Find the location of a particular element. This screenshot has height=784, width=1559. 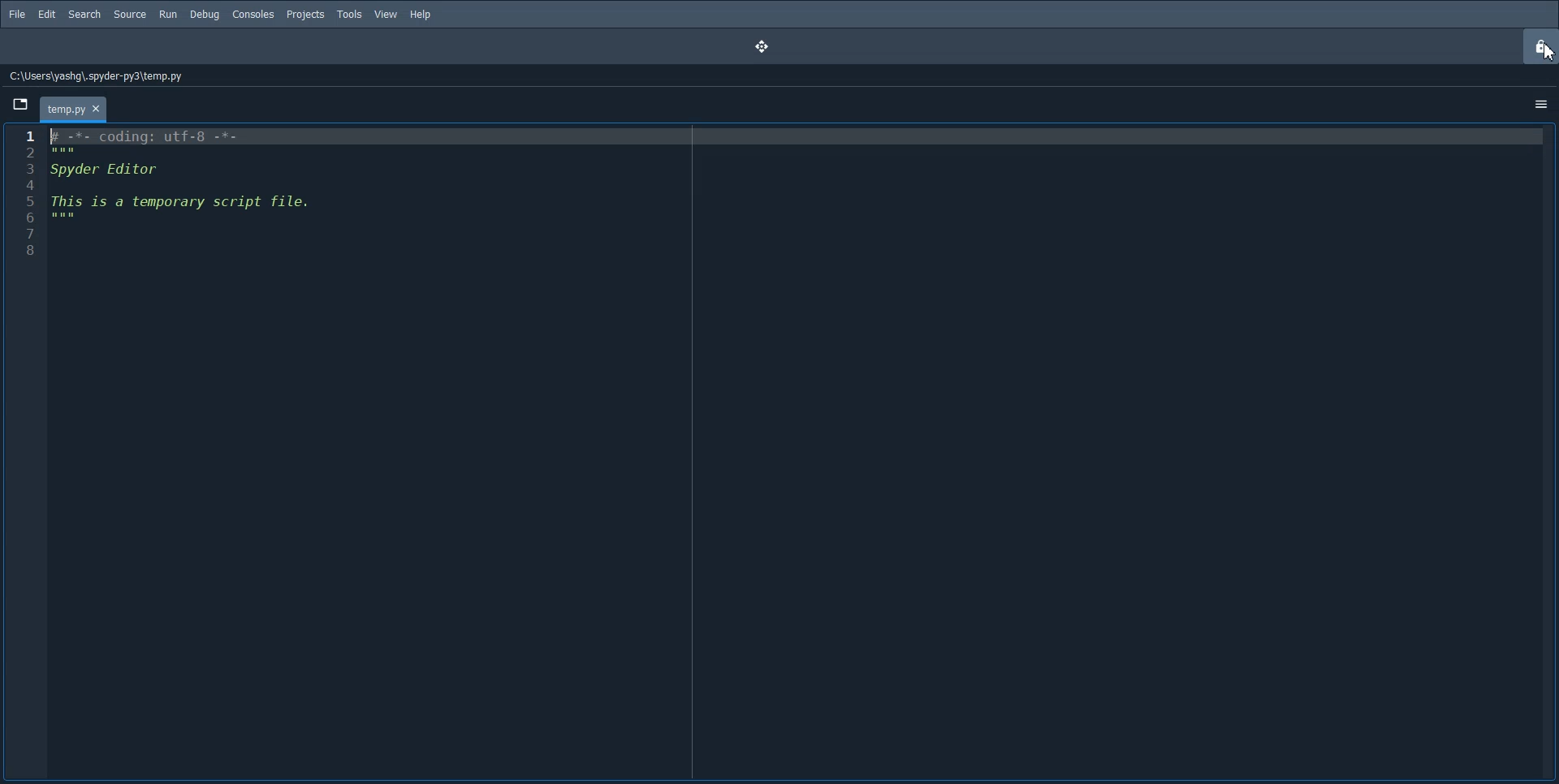

Browse Tab is located at coordinates (19, 103).